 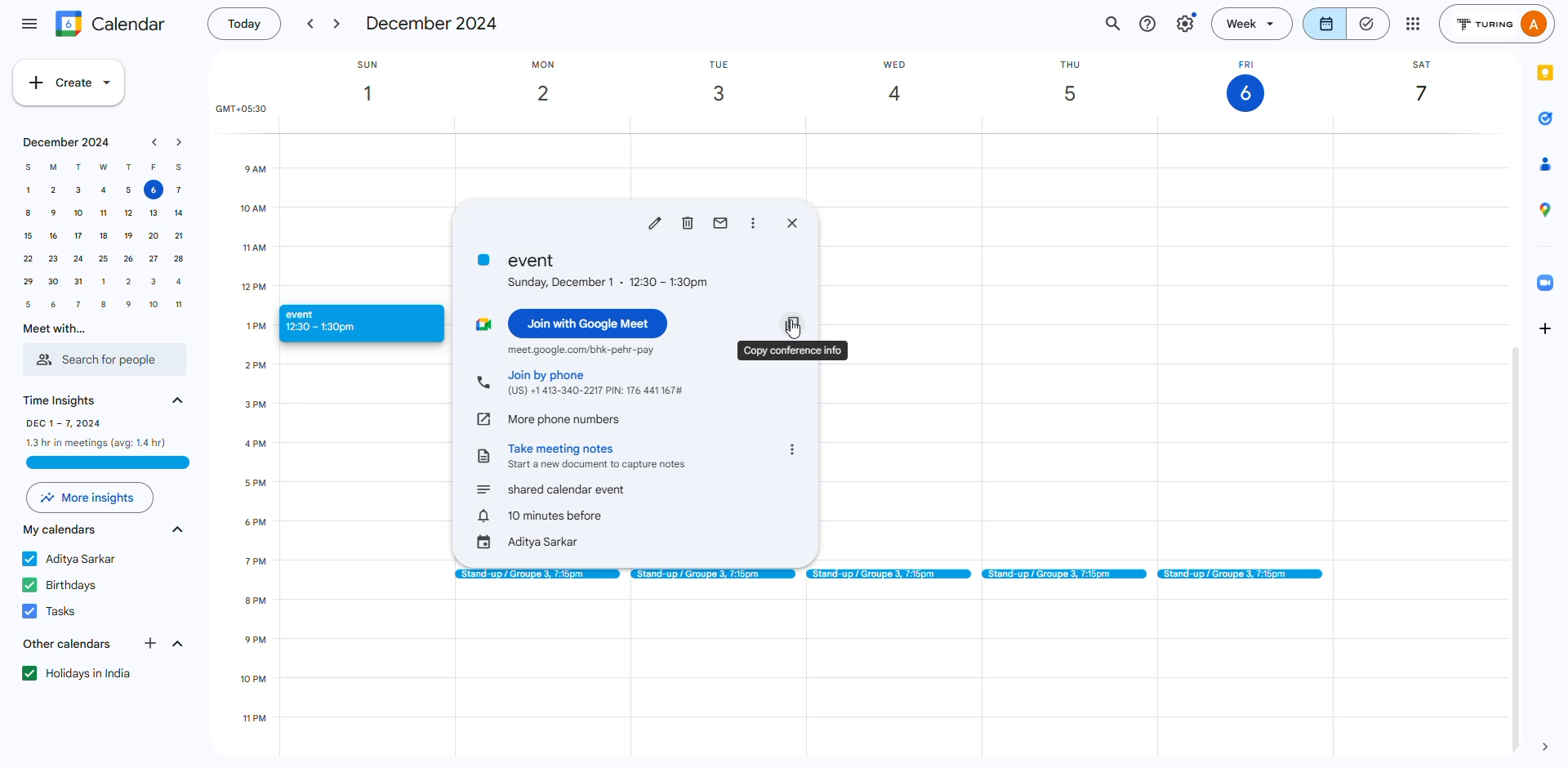 What do you see at coordinates (1254, 23) in the screenshot?
I see `week` at bounding box center [1254, 23].